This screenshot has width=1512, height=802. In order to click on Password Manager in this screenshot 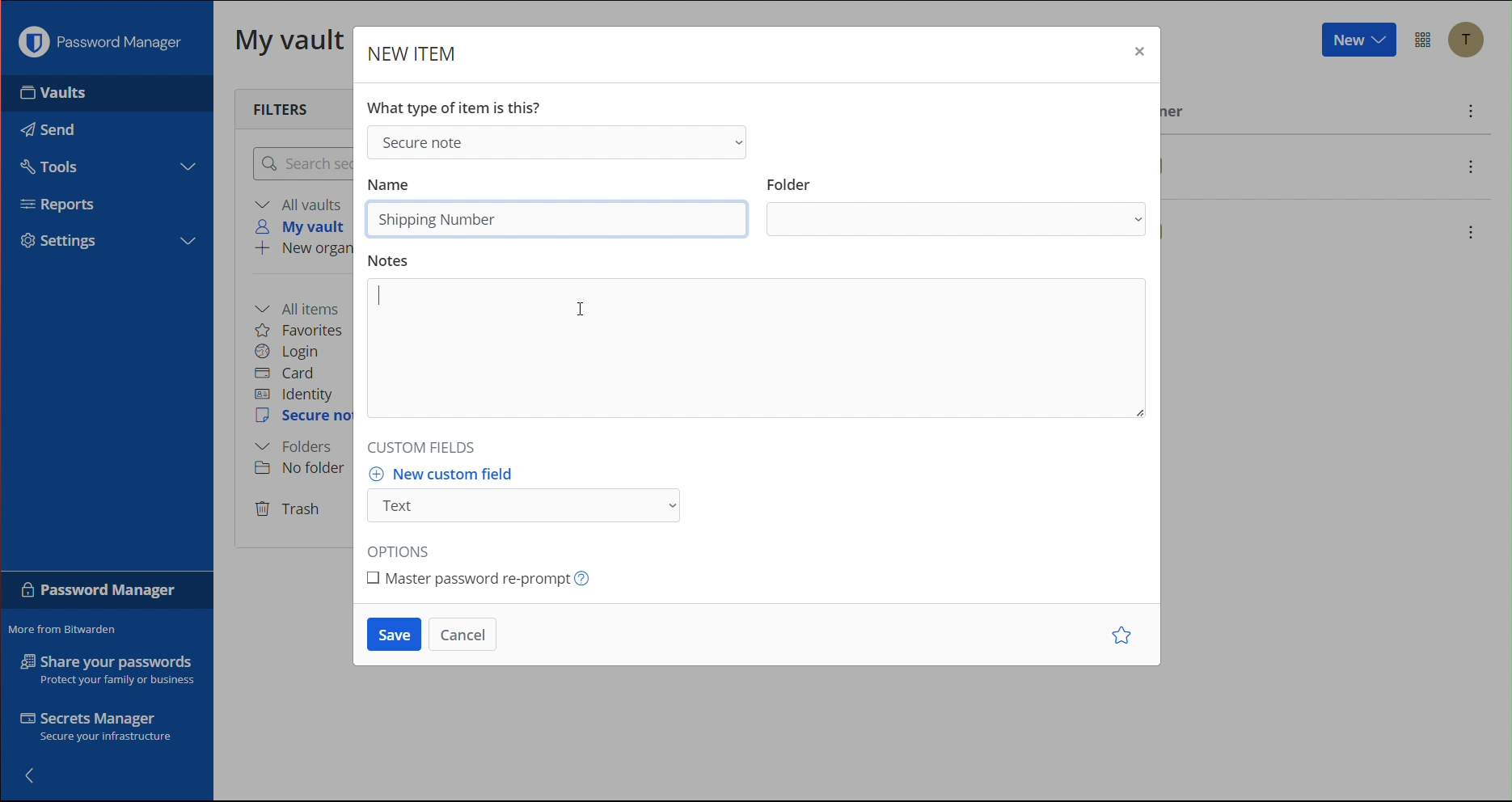, I will do `click(99, 46)`.